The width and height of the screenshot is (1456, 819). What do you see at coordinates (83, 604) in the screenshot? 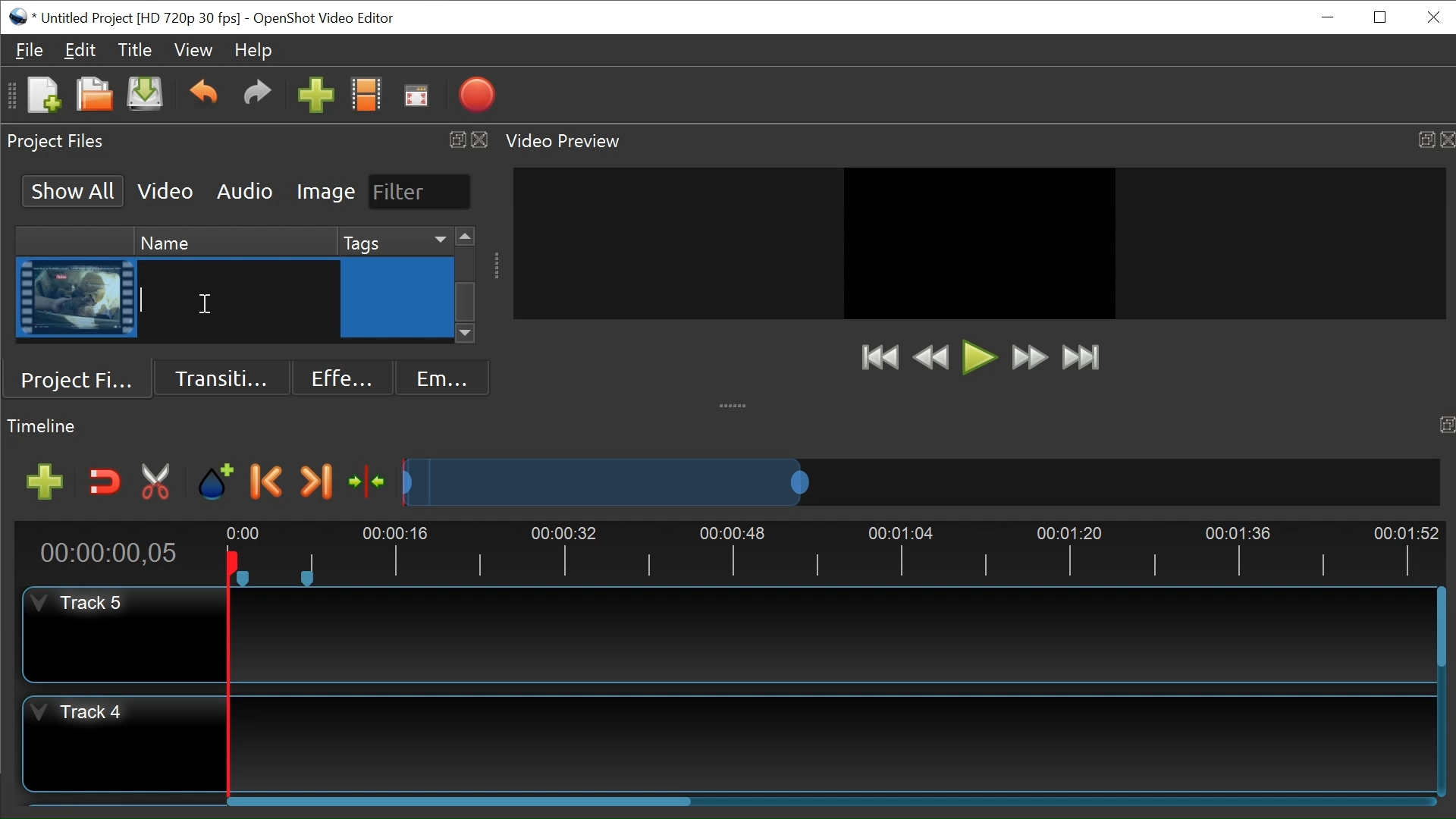
I see `Track Header` at bounding box center [83, 604].